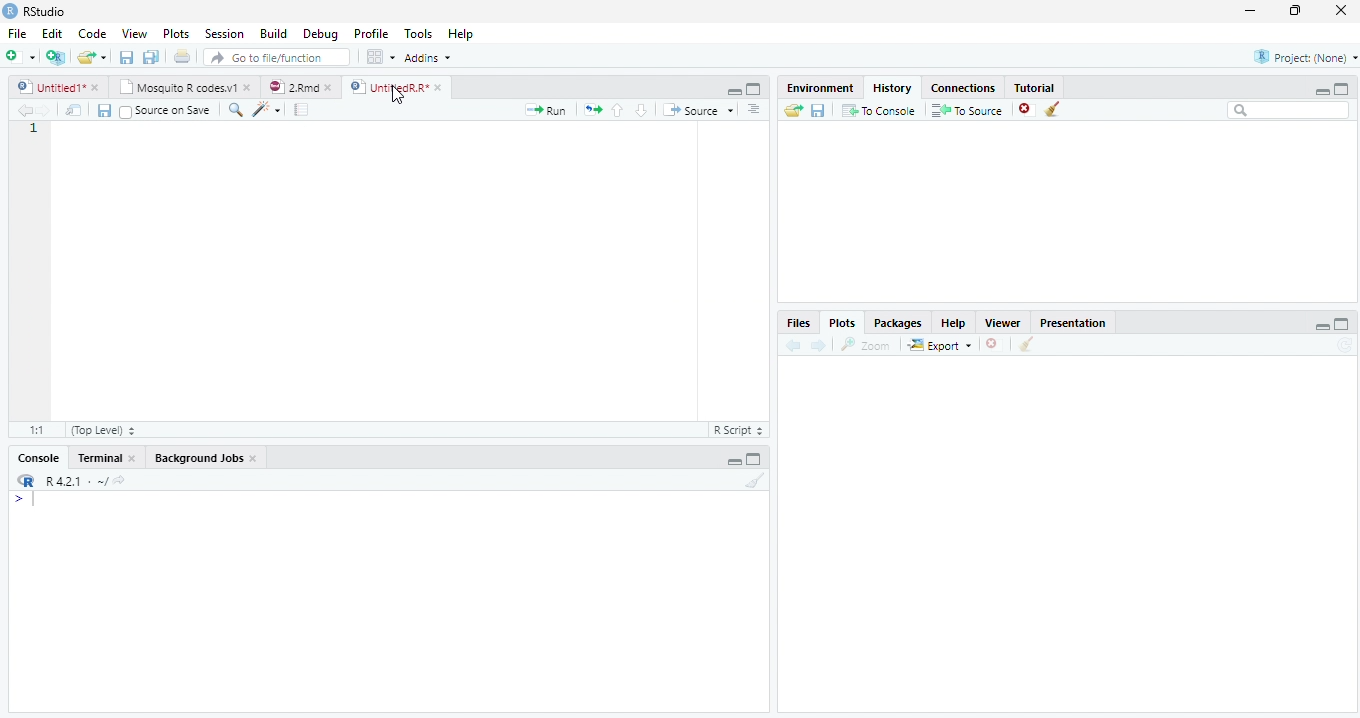 This screenshot has width=1360, height=718. Describe the element at coordinates (207, 457) in the screenshot. I see `Background Jobs` at that location.